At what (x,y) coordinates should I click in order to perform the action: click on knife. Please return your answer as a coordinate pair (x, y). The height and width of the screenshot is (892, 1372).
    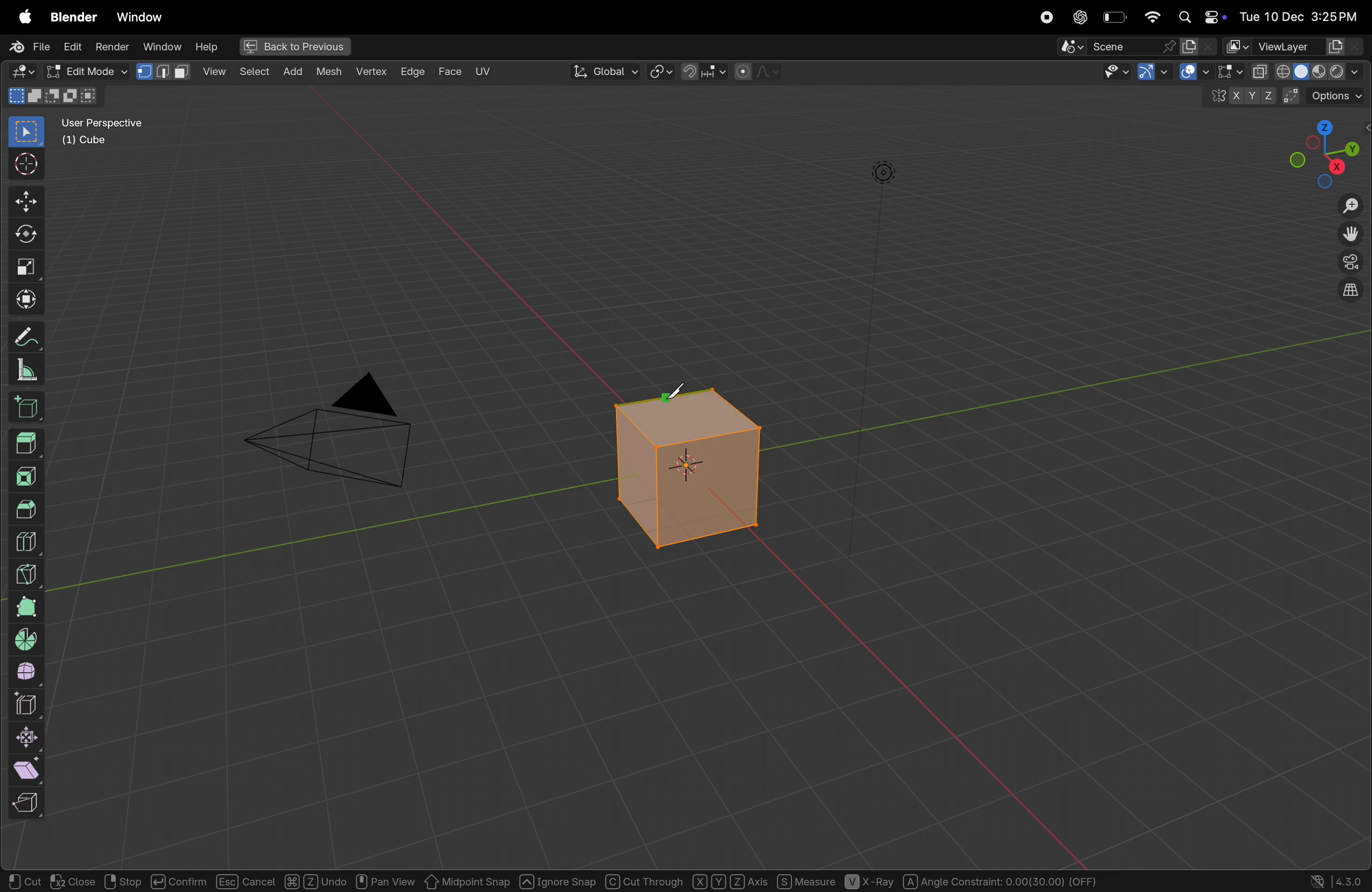
    Looking at the image, I should click on (27, 572).